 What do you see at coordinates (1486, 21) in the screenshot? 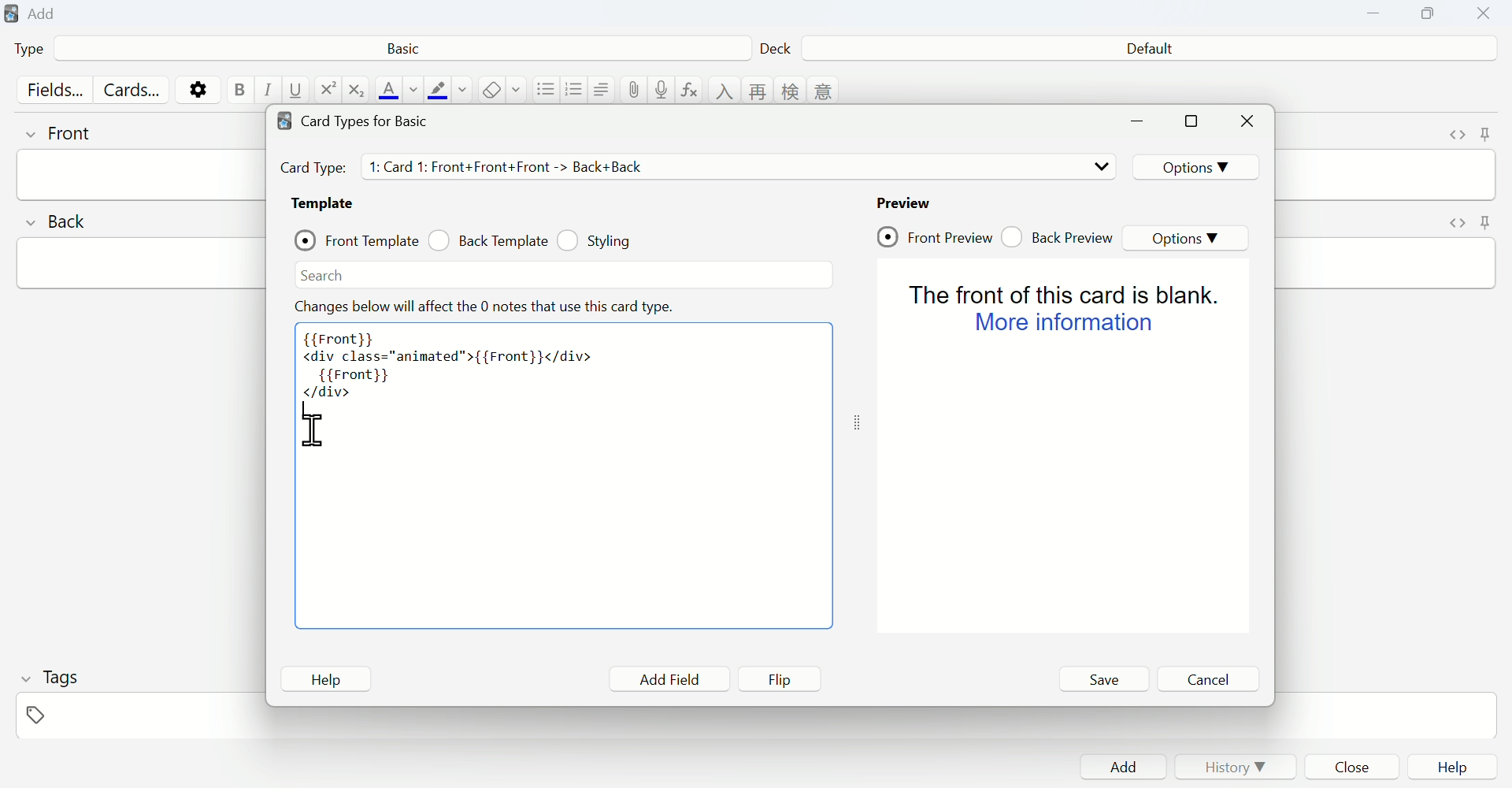
I see `Close` at bounding box center [1486, 21].